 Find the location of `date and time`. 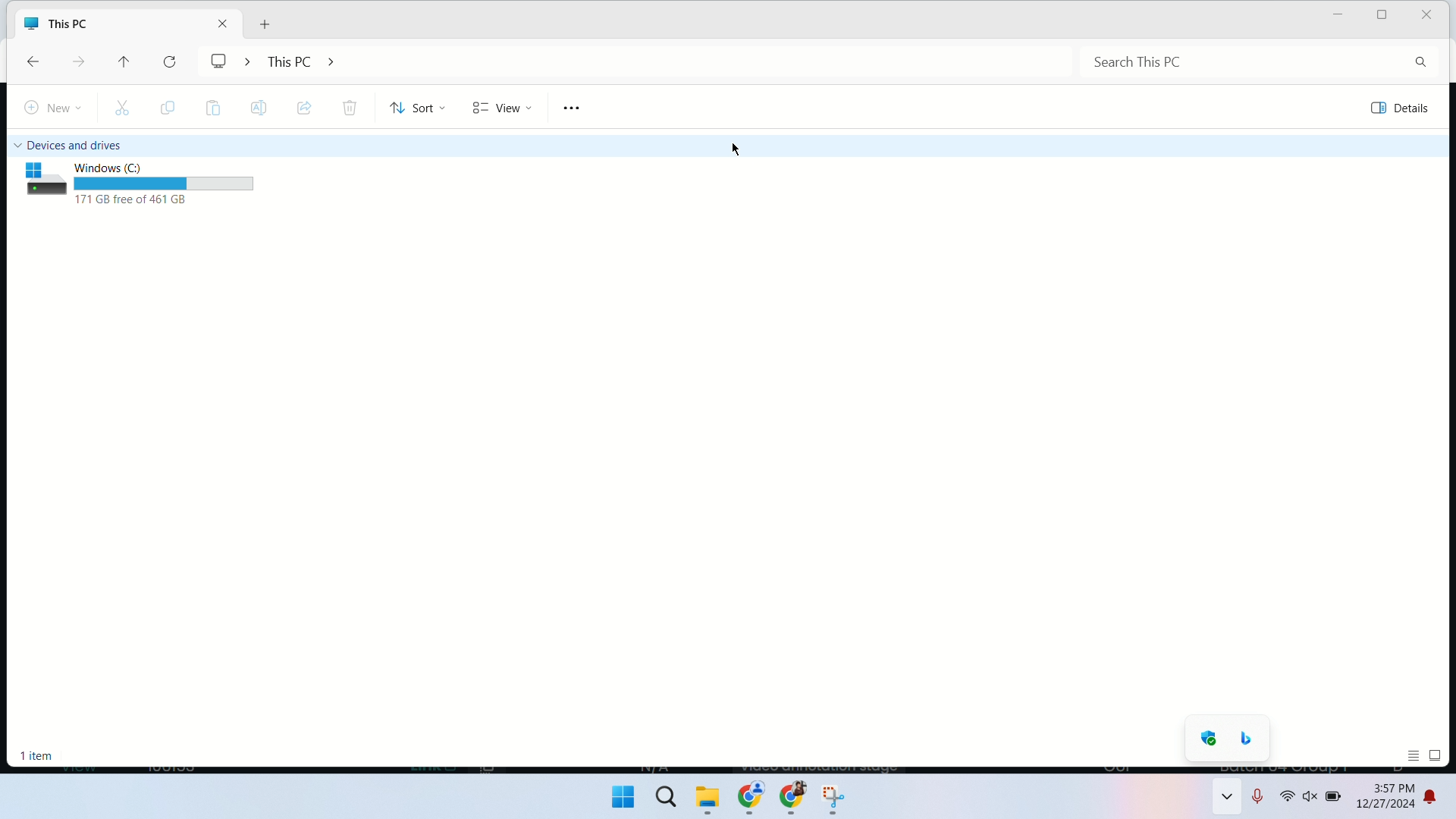

date and time is located at coordinates (1385, 800).